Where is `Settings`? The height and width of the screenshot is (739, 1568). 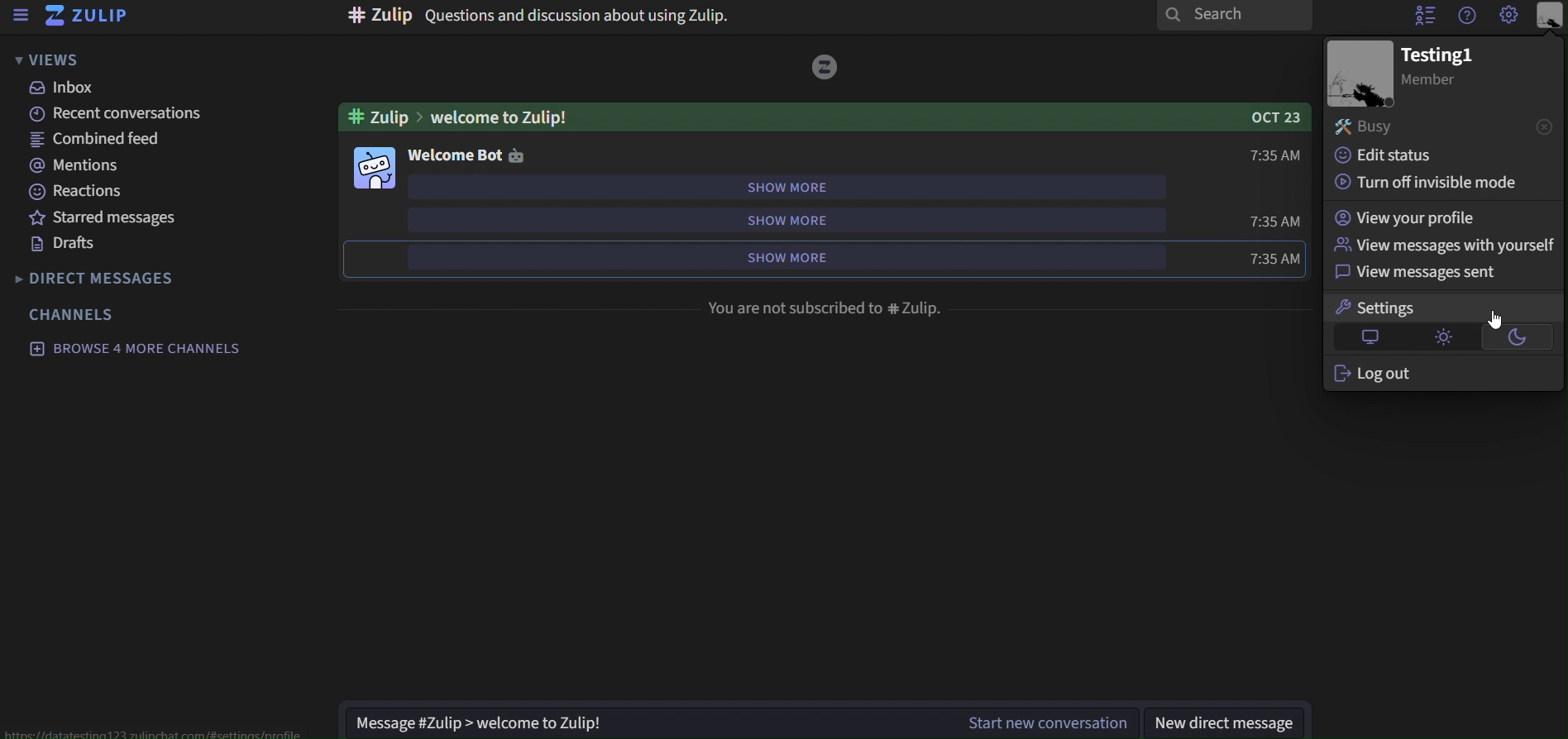
Settings is located at coordinates (1509, 16).